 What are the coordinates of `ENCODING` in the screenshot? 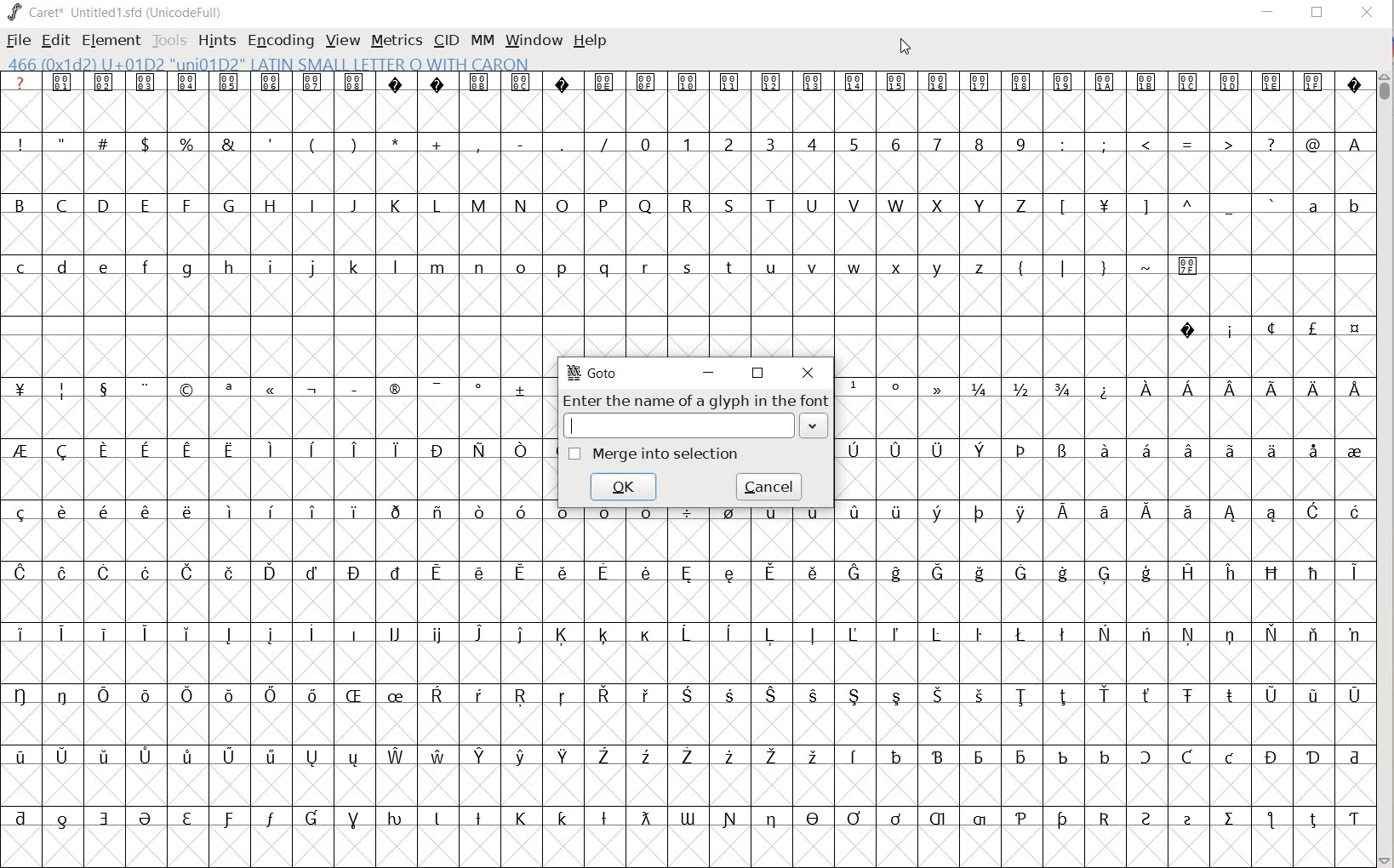 It's located at (281, 39).